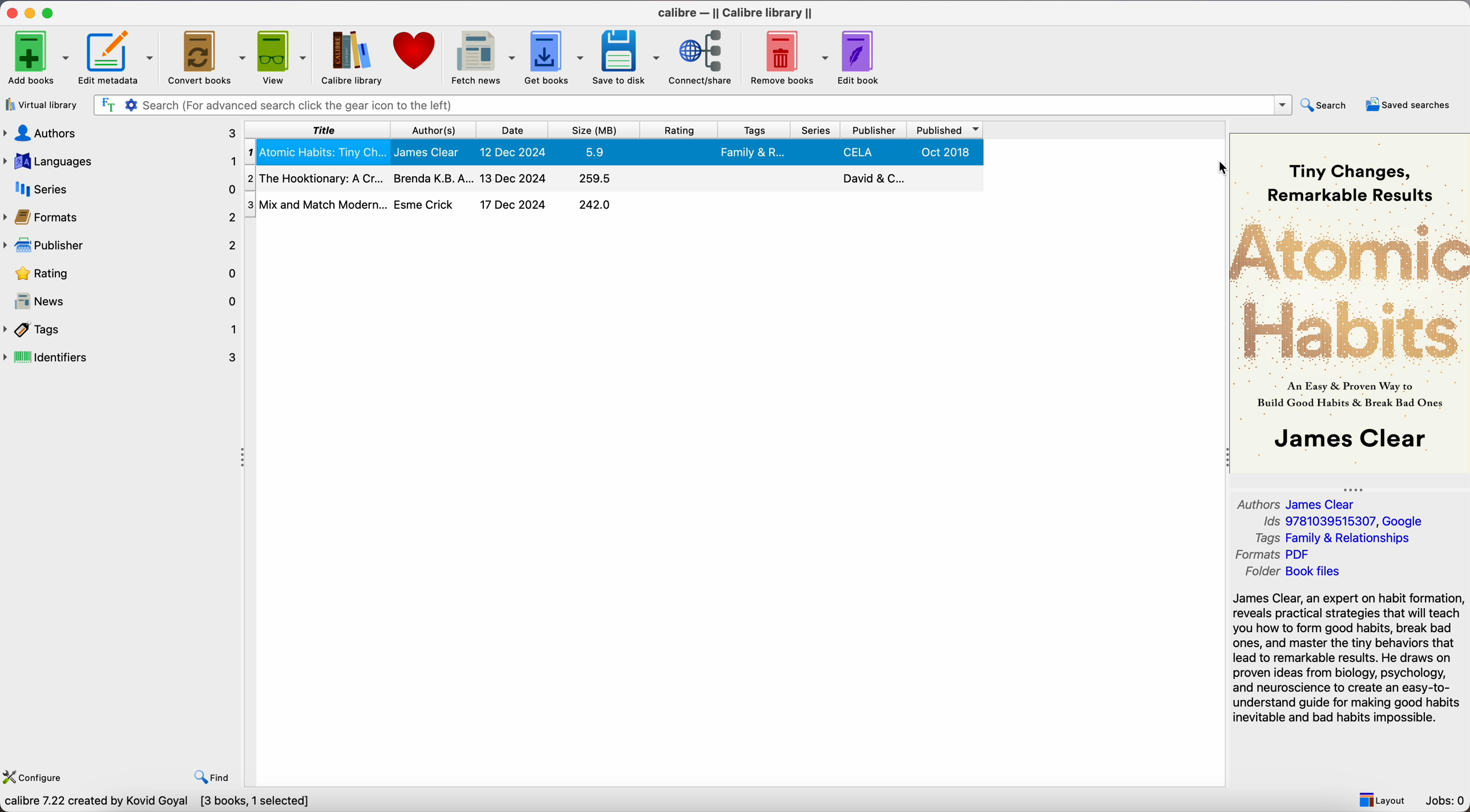  I want to click on Add books, so click(37, 58).